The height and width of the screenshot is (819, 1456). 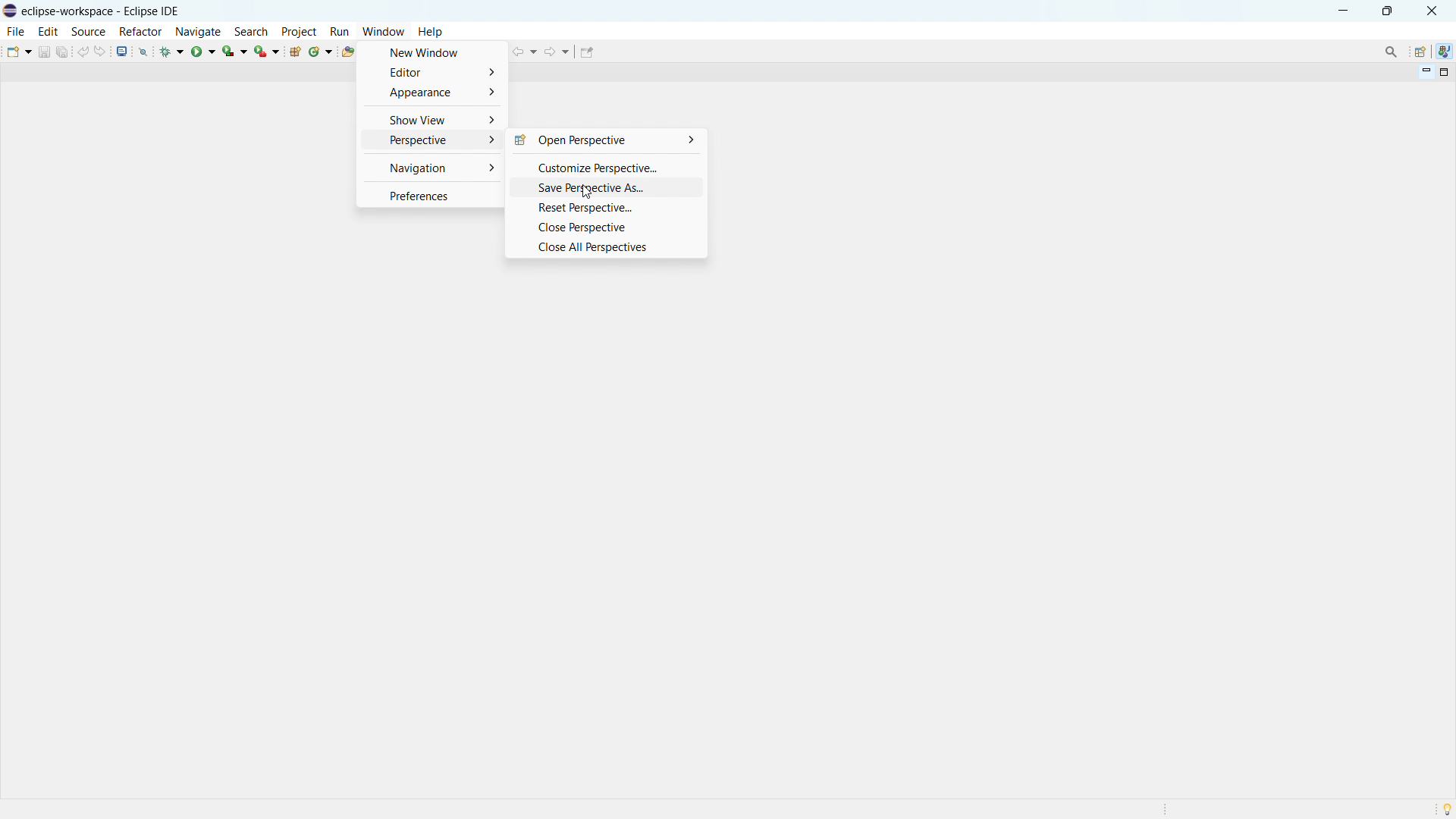 I want to click on redo, so click(x=102, y=50).